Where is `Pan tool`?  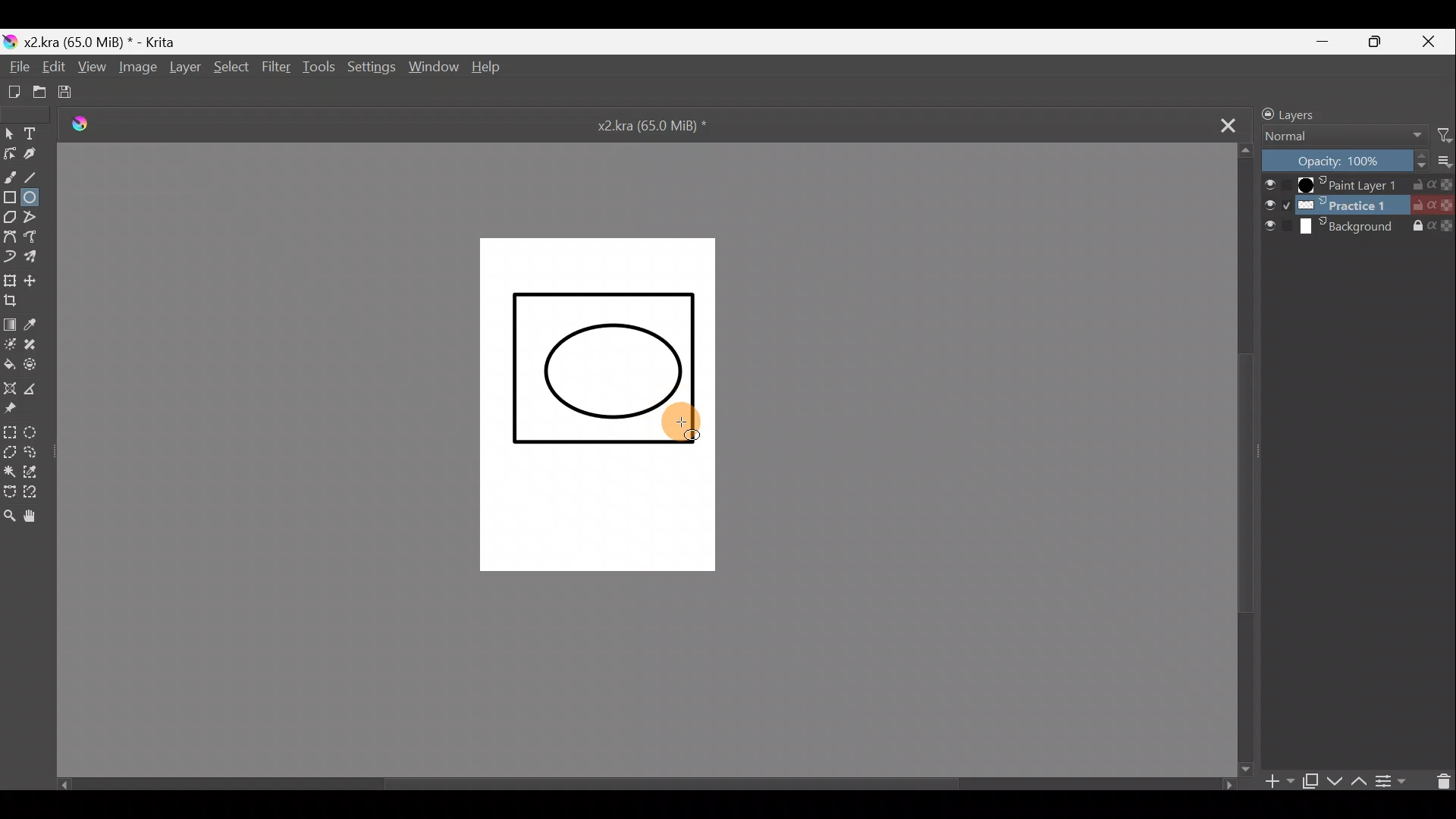 Pan tool is located at coordinates (39, 516).